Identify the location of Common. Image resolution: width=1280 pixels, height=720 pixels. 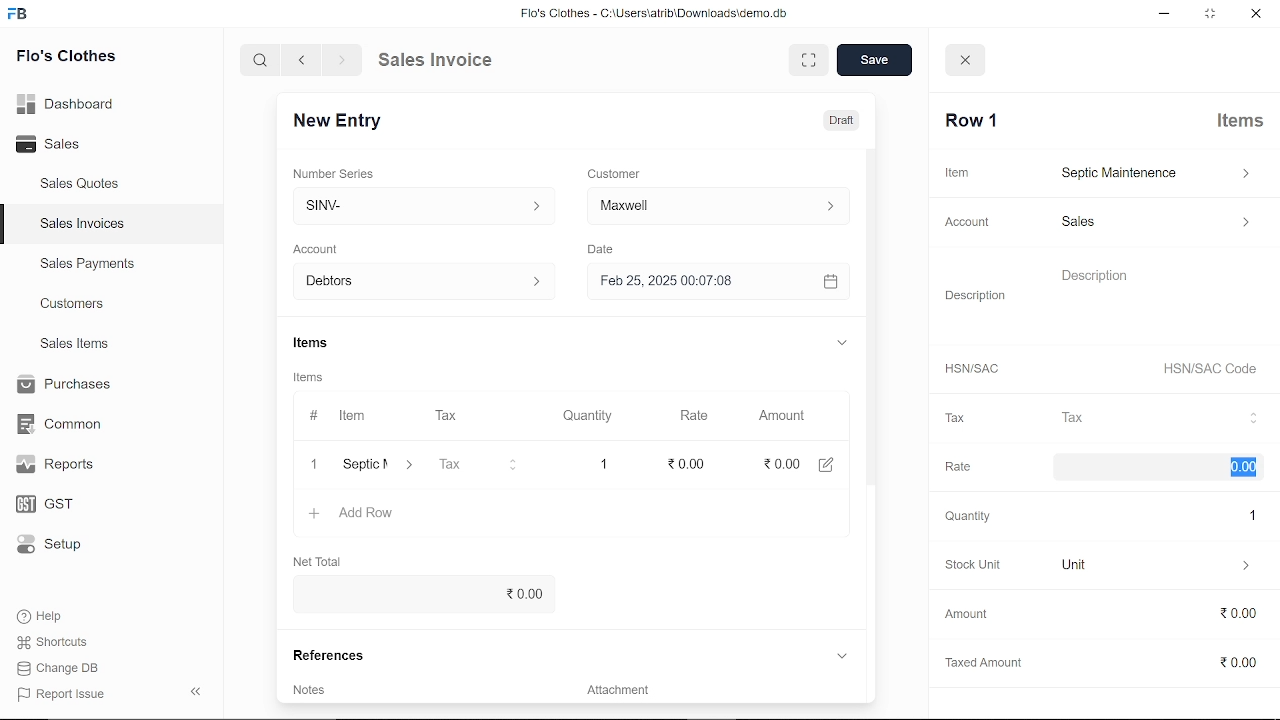
(62, 424).